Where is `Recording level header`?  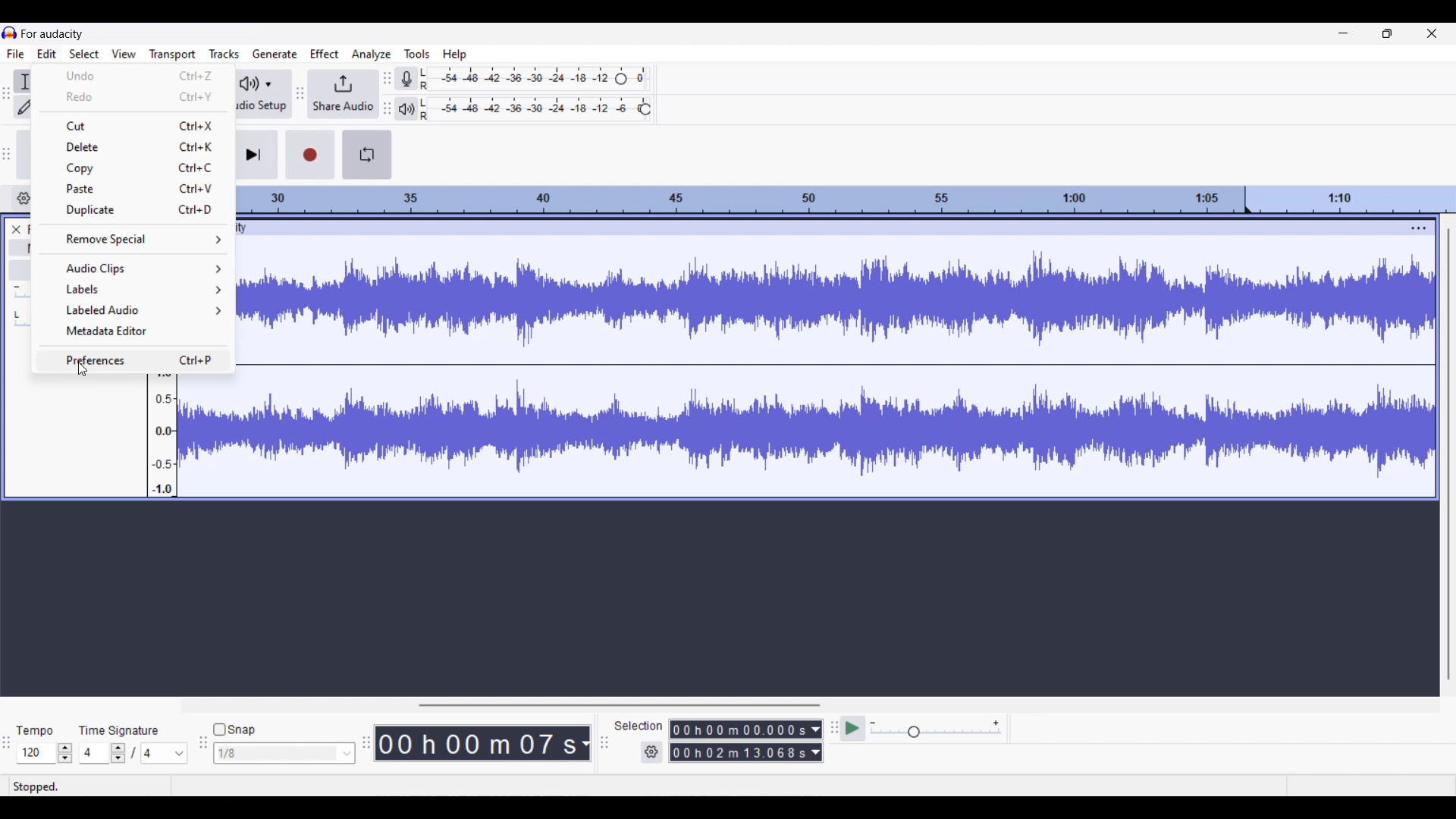
Recording level header is located at coordinates (621, 79).